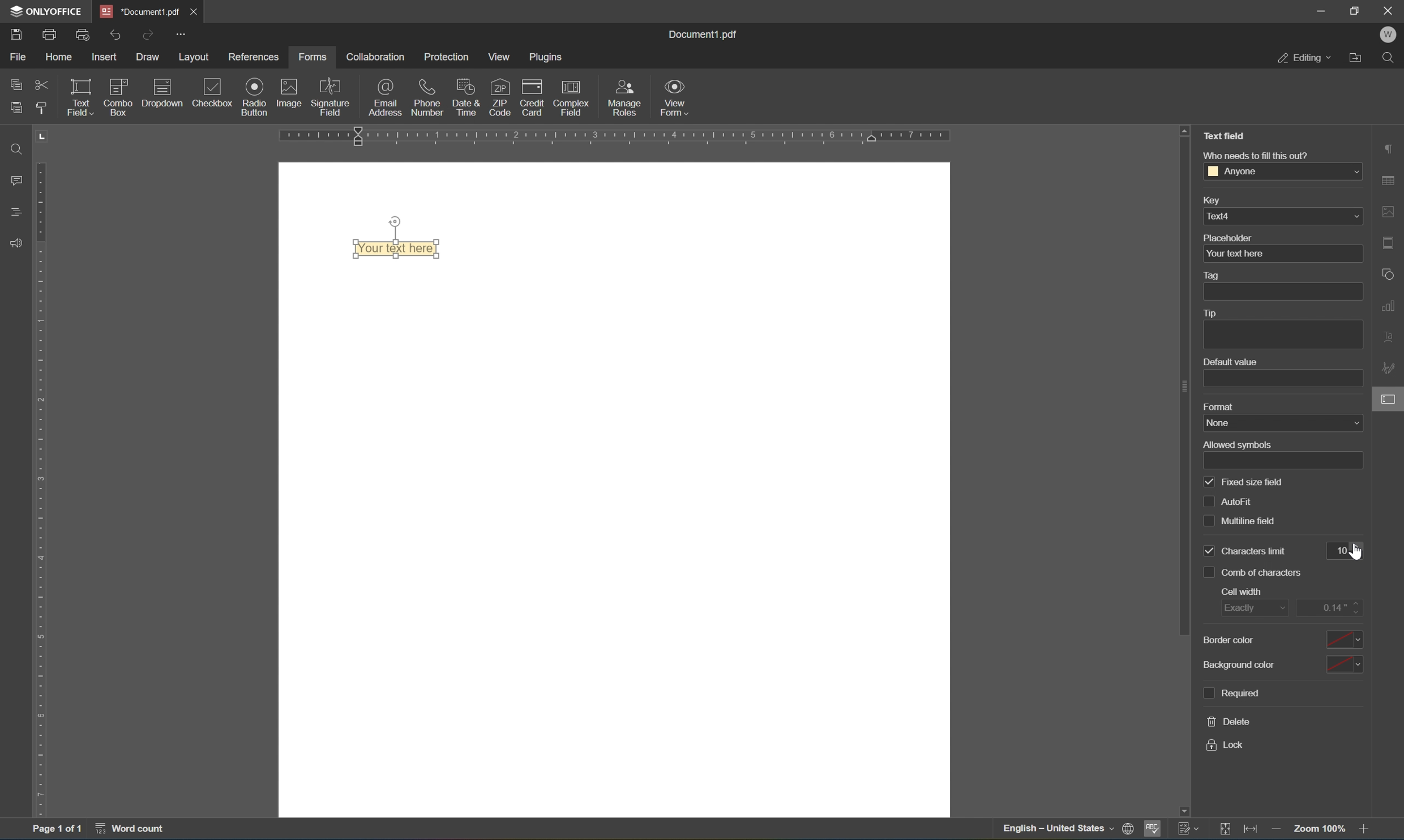  What do you see at coordinates (1152, 830) in the screenshot?
I see `spell checking` at bounding box center [1152, 830].